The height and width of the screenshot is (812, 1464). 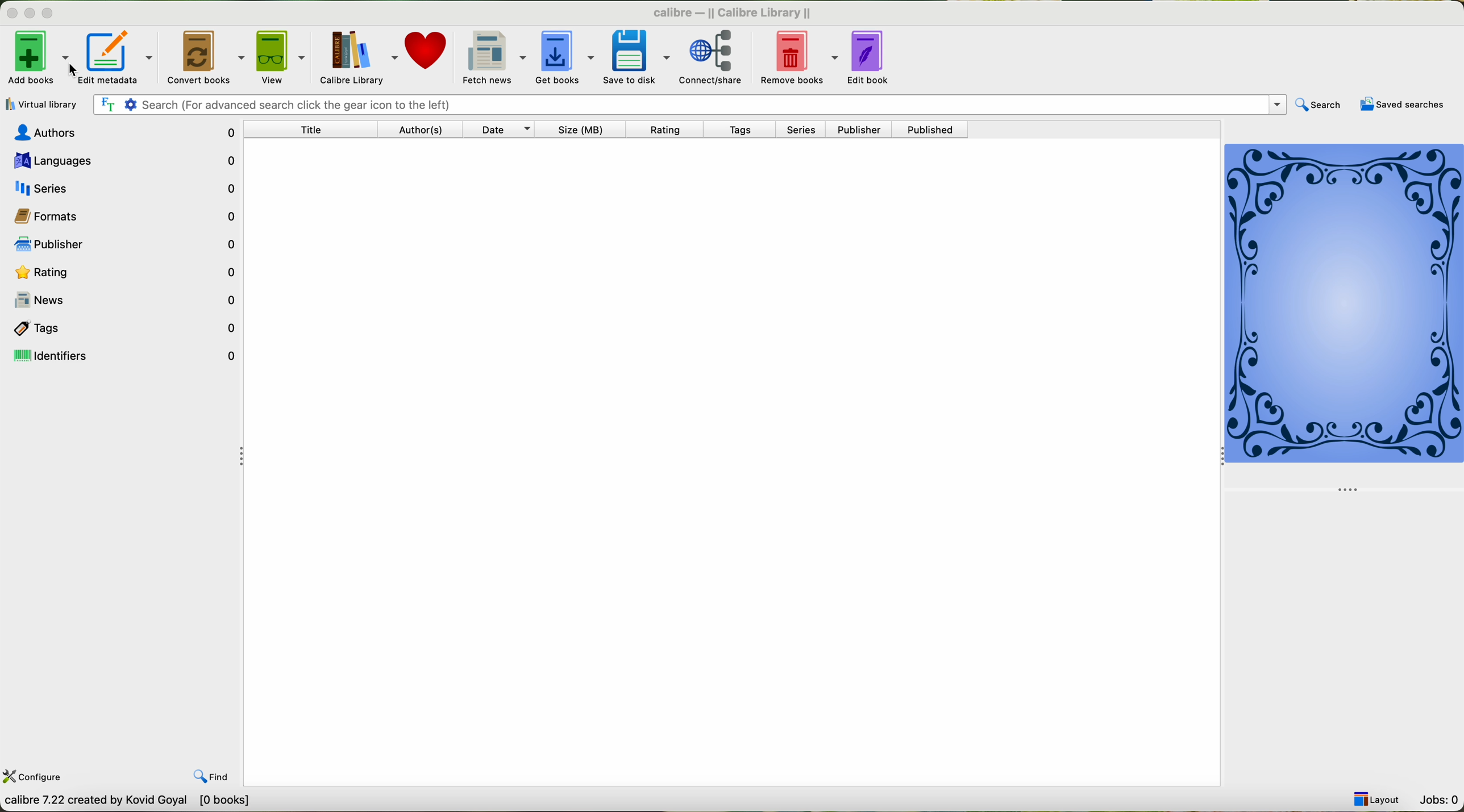 What do you see at coordinates (1438, 799) in the screenshot?
I see `jobs: 0` at bounding box center [1438, 799].